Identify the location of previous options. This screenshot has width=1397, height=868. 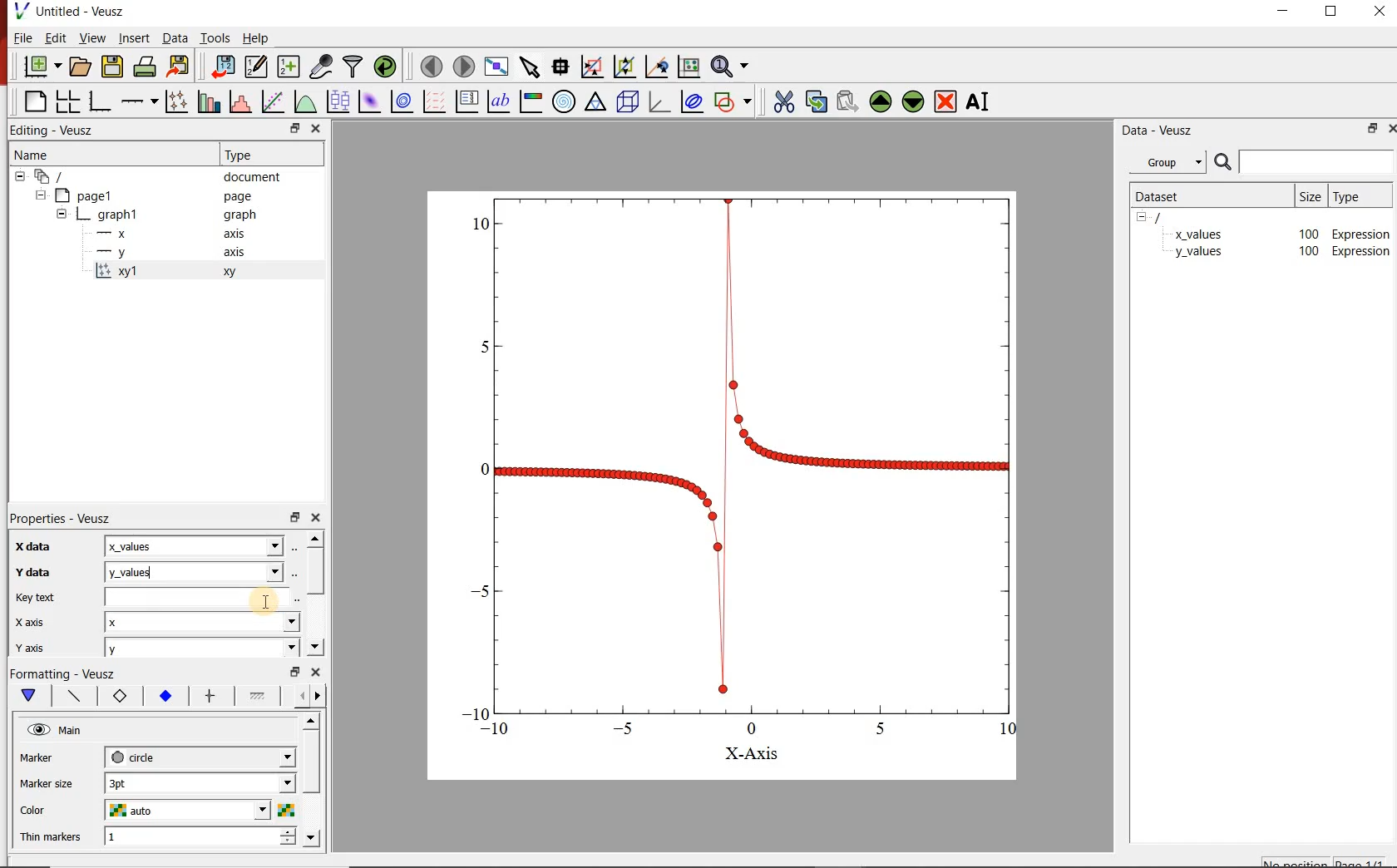
(299, 697).